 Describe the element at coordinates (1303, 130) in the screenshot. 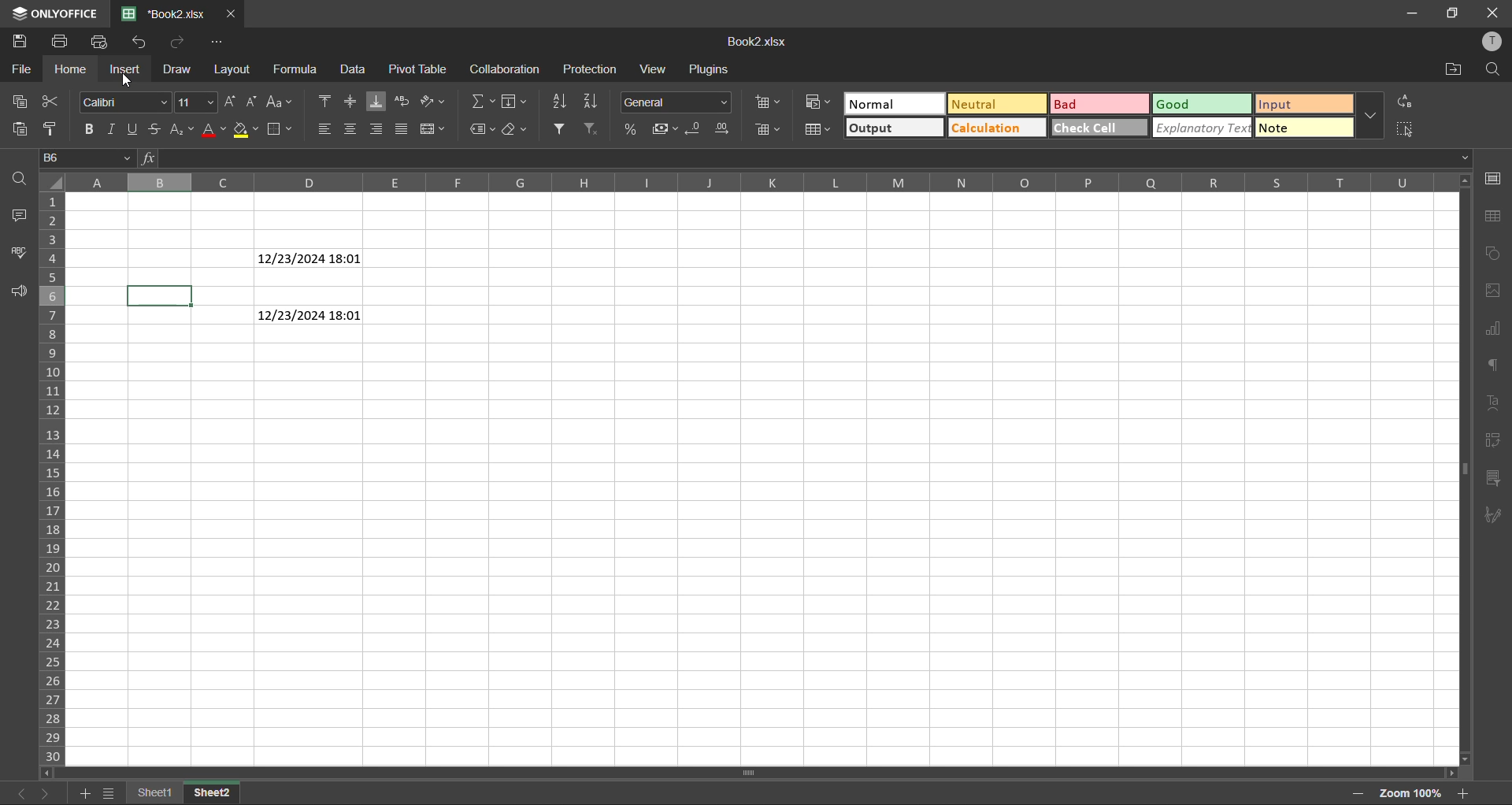

I see `note` at that location.